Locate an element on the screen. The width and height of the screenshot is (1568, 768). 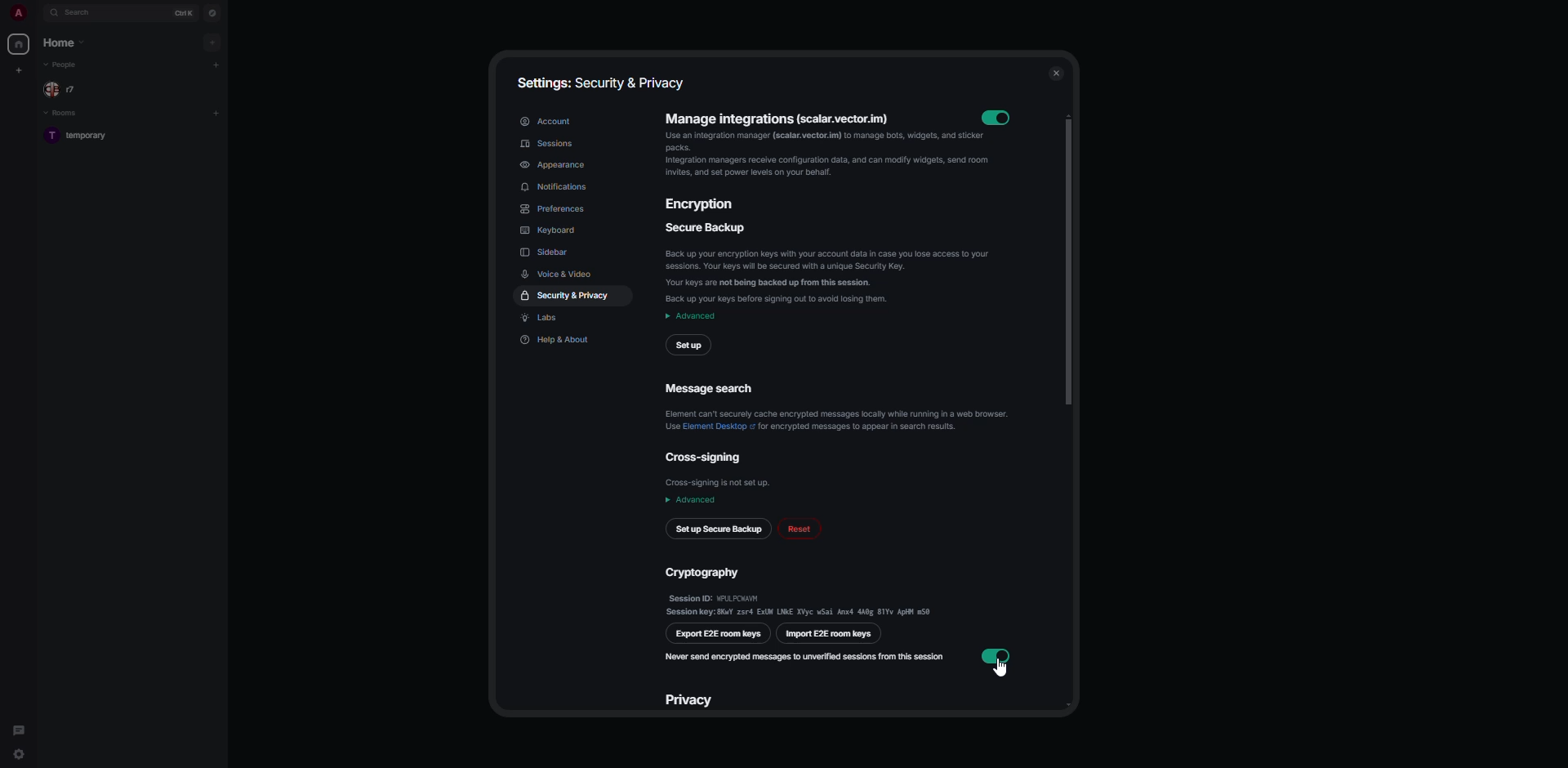
appearance is located at coordinates (557, 164).